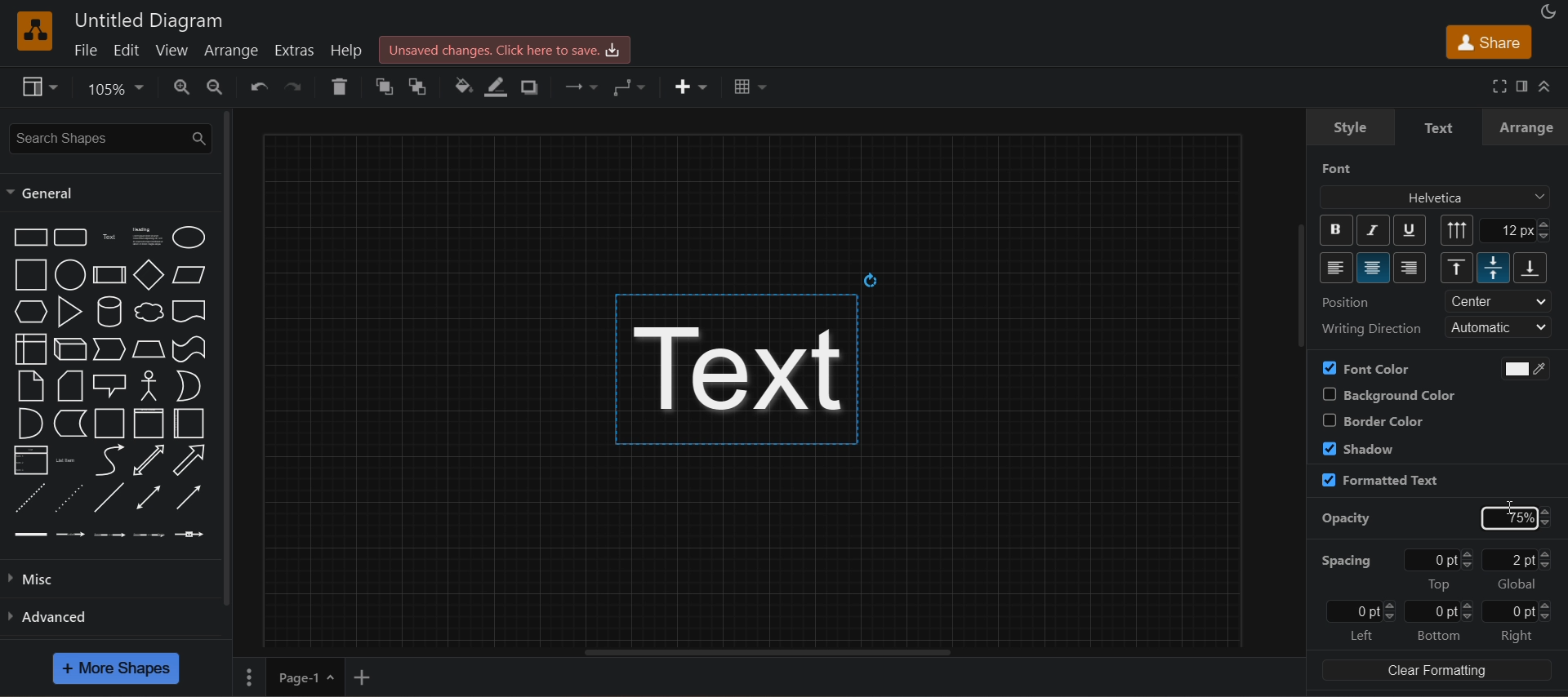 Image resolution: width=1568 pixels, height=697 pixels. Describe the element at coordinates (109, 497) in the screenshot. I see `line` at that location.